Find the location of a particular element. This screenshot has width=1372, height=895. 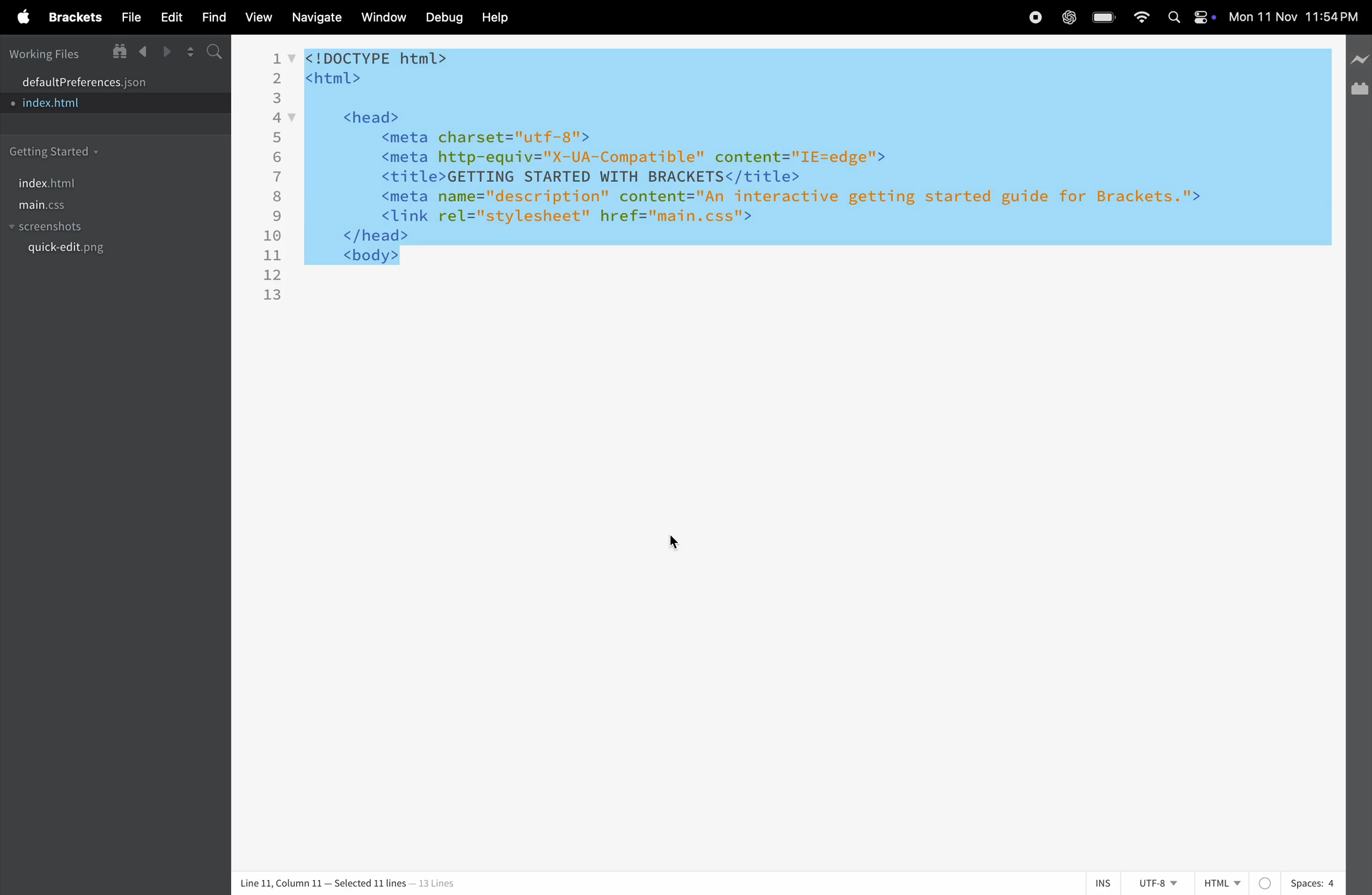

view is located at coordinates (258, 17).